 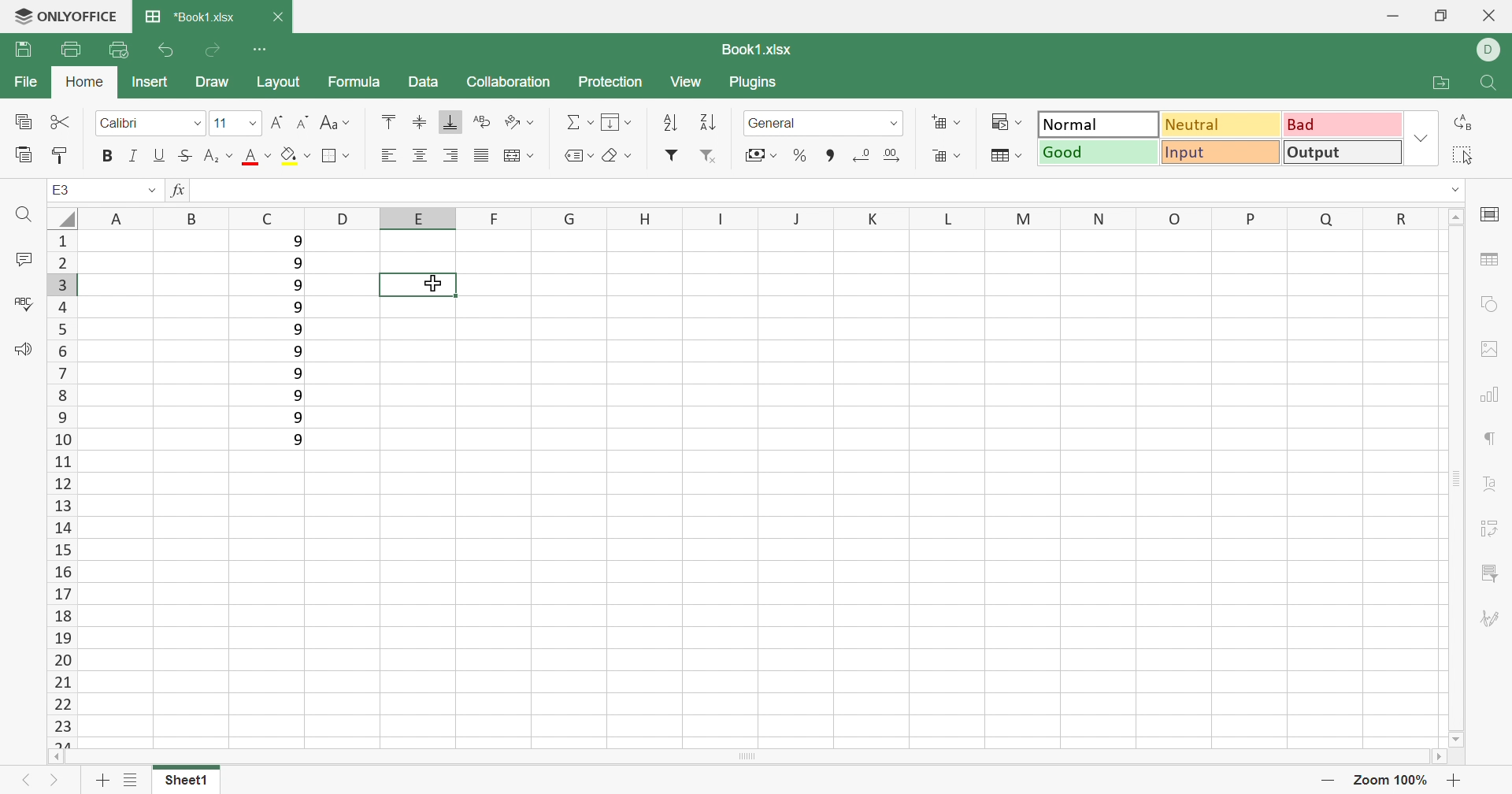 I want to click on Drop Down, so click(x=252, y=123).